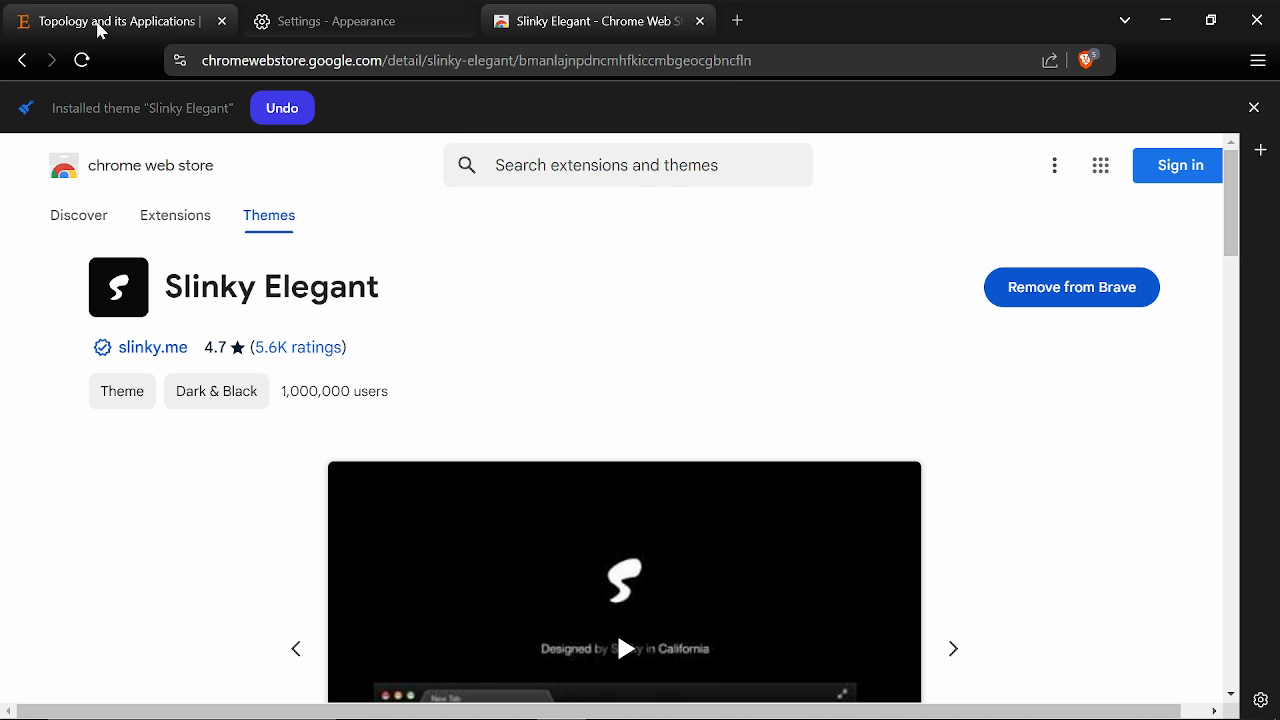 This screenshot has height=720, width=1280. I want to click on Customize and control brave, so click(1255, 63).